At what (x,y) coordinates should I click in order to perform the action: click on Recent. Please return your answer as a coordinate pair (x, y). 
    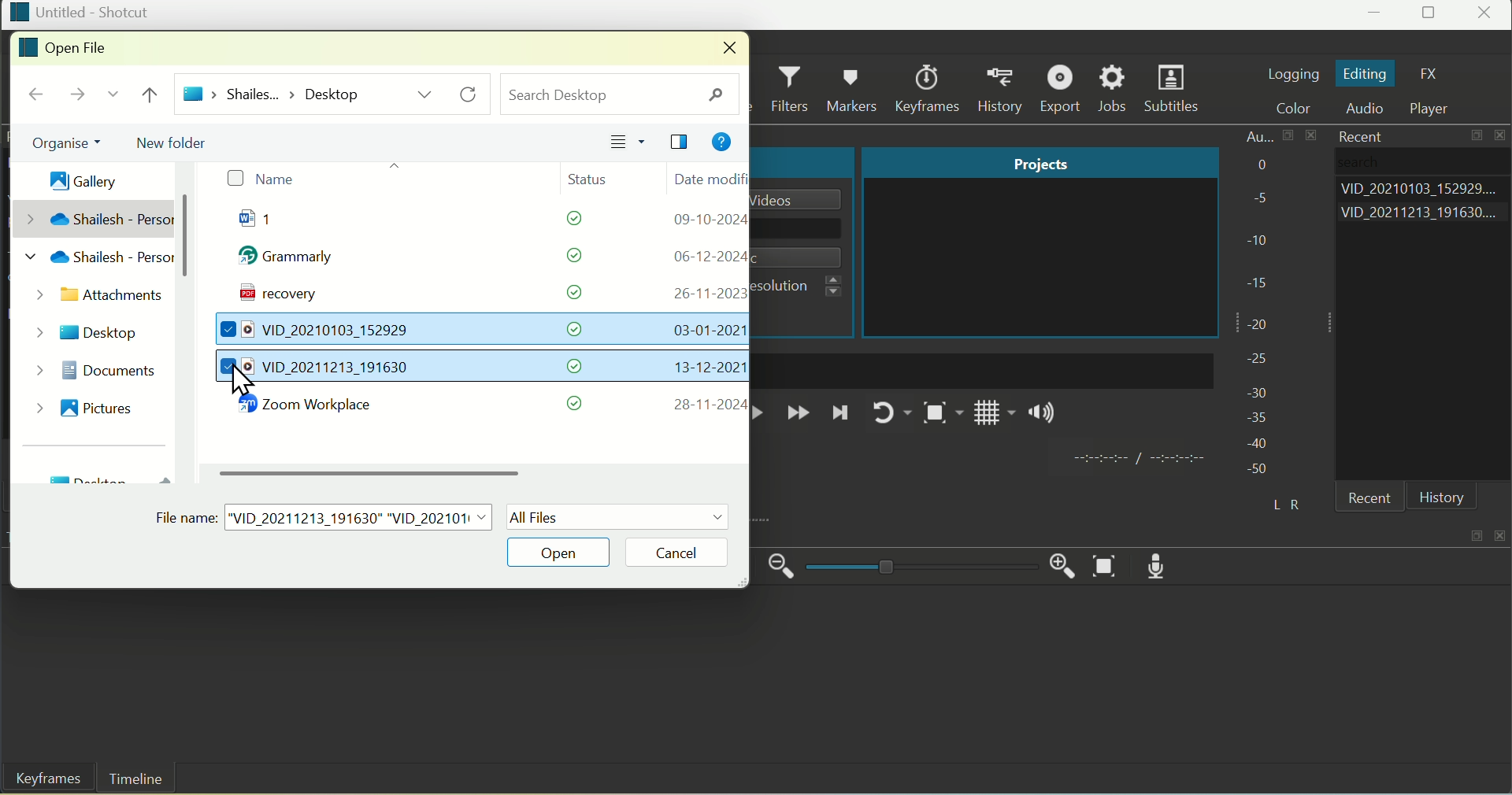
    Looking at the image, I should click on (1356, 135).